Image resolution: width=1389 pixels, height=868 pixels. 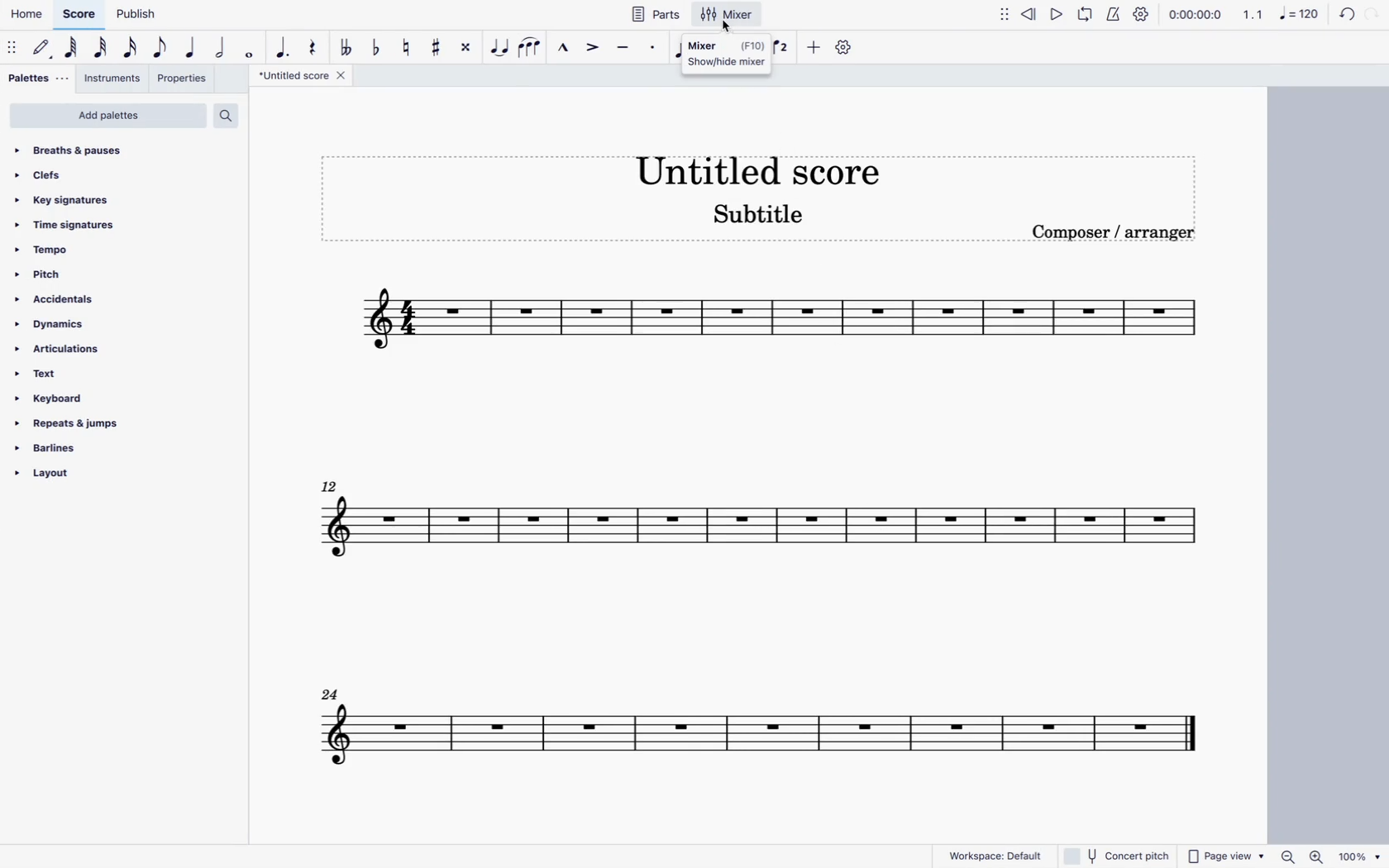 What do you see at coordinates (107, 117) in the screenshot?
I see `add palettes` at bounding box center [107, 117].